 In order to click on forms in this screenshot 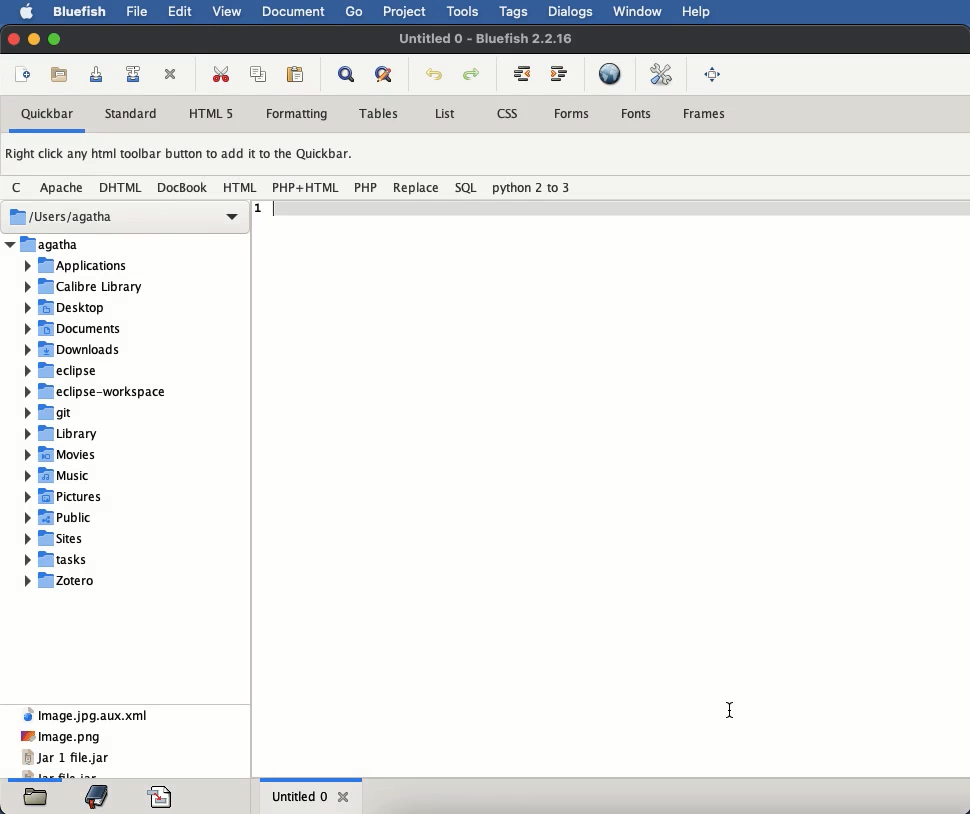, I will do `click(573, 112)`.